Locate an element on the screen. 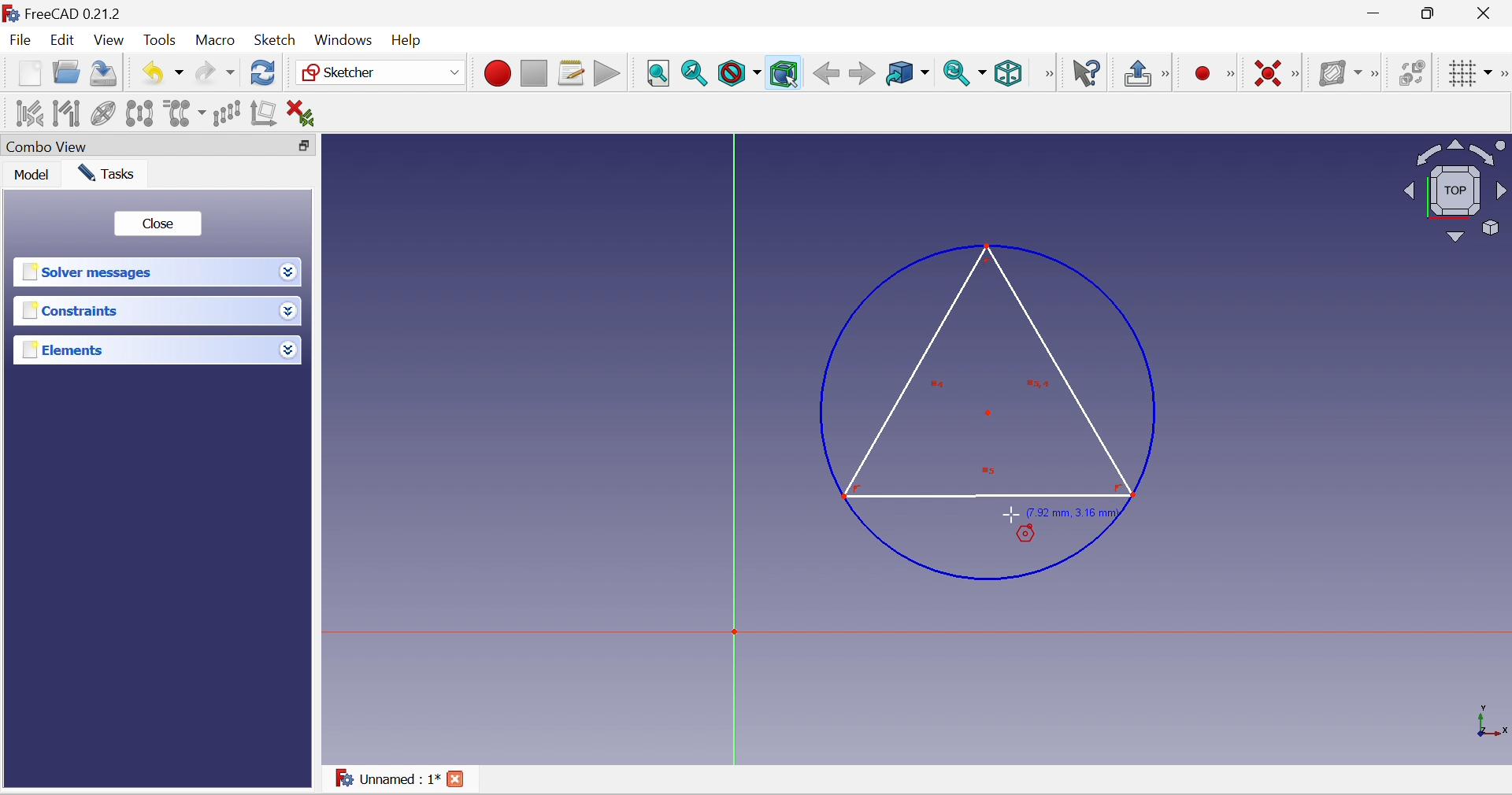  Viewing angle is located at coordinates (1455, 190).